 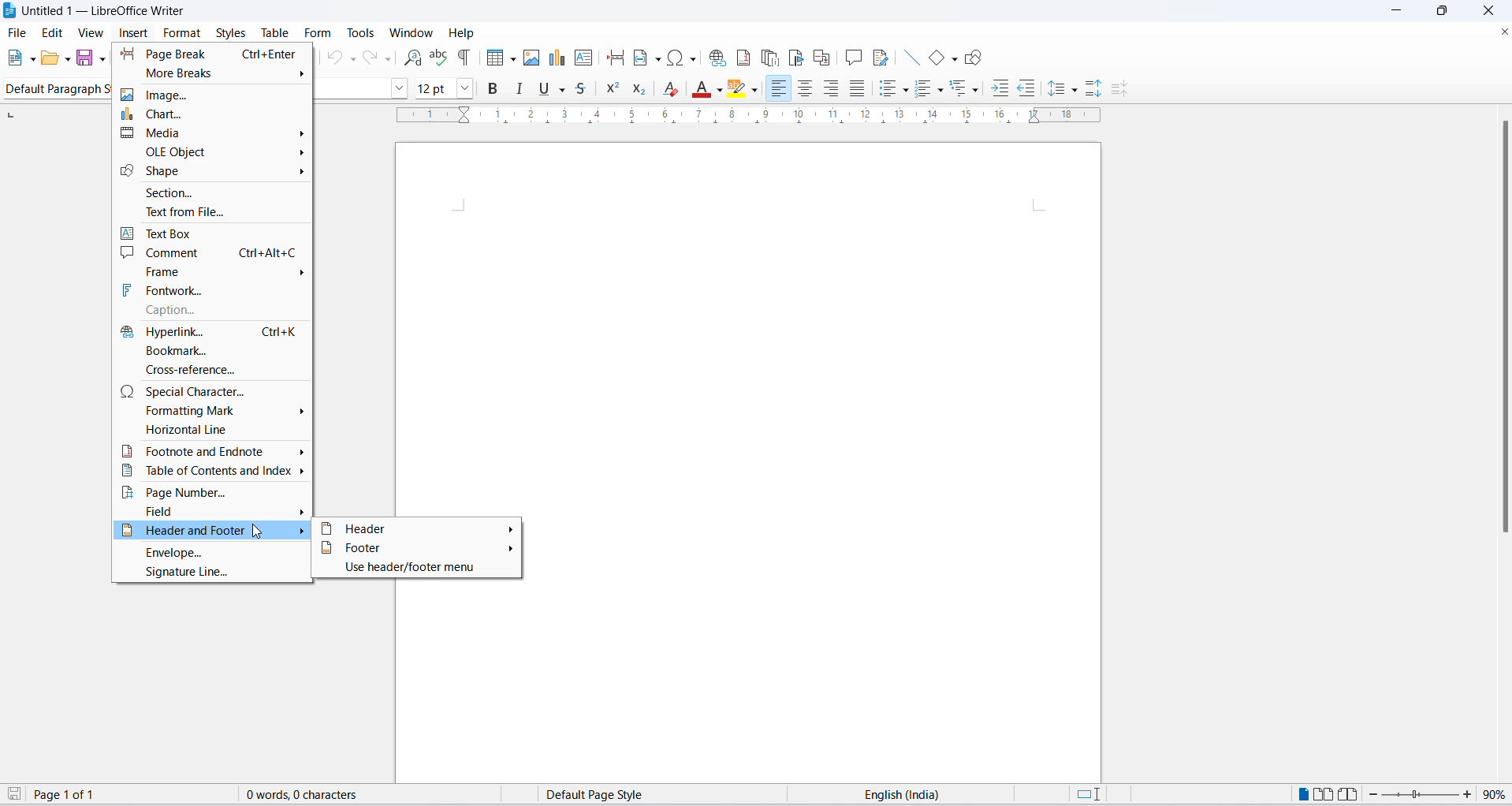 What do you see at coordinates (674, 88) in the screenshot?
I see `clear direct formatting` at bounding box center [674, 88].